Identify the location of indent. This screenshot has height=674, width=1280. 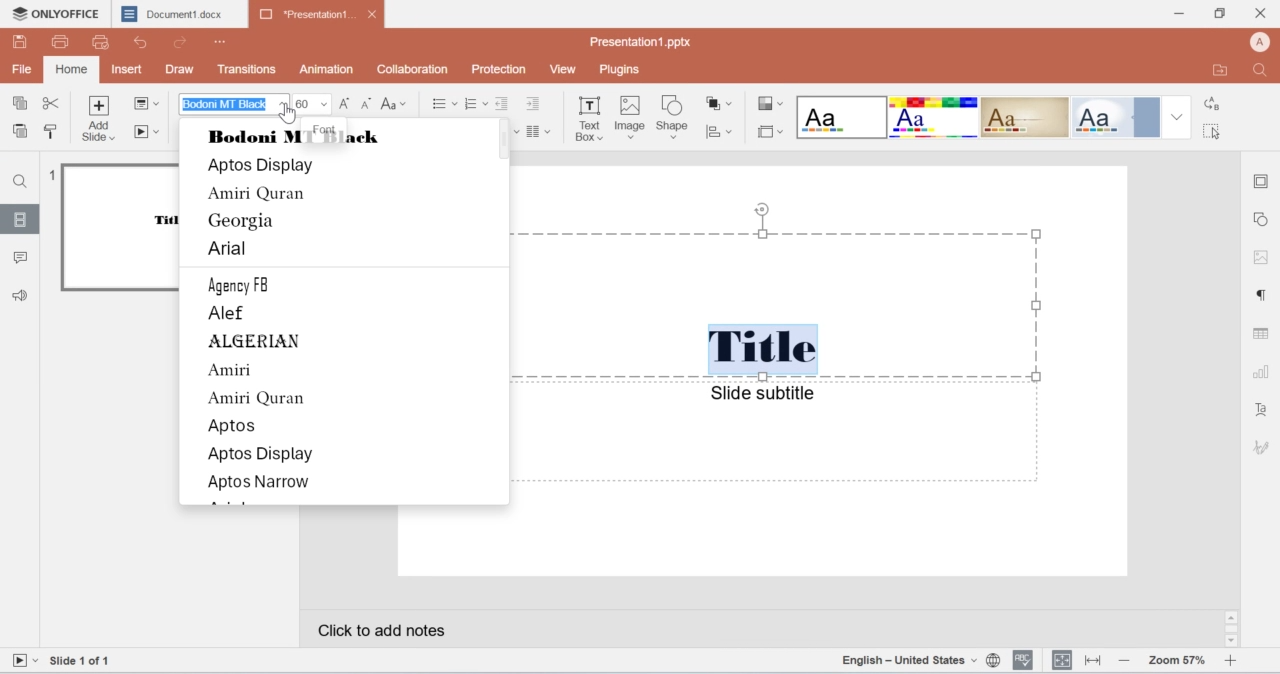
(504, 104).